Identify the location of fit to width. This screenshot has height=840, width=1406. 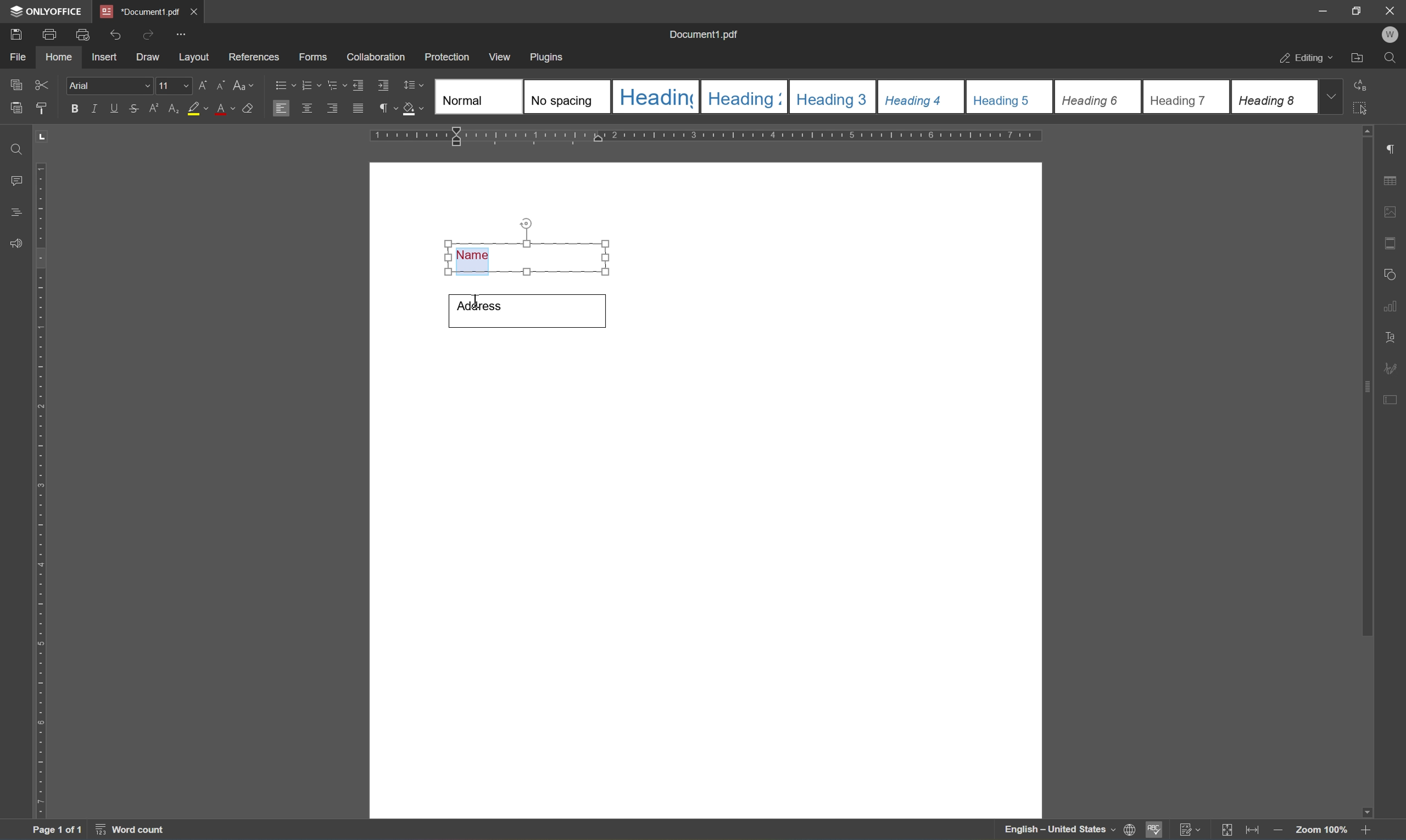
(1251, 832).